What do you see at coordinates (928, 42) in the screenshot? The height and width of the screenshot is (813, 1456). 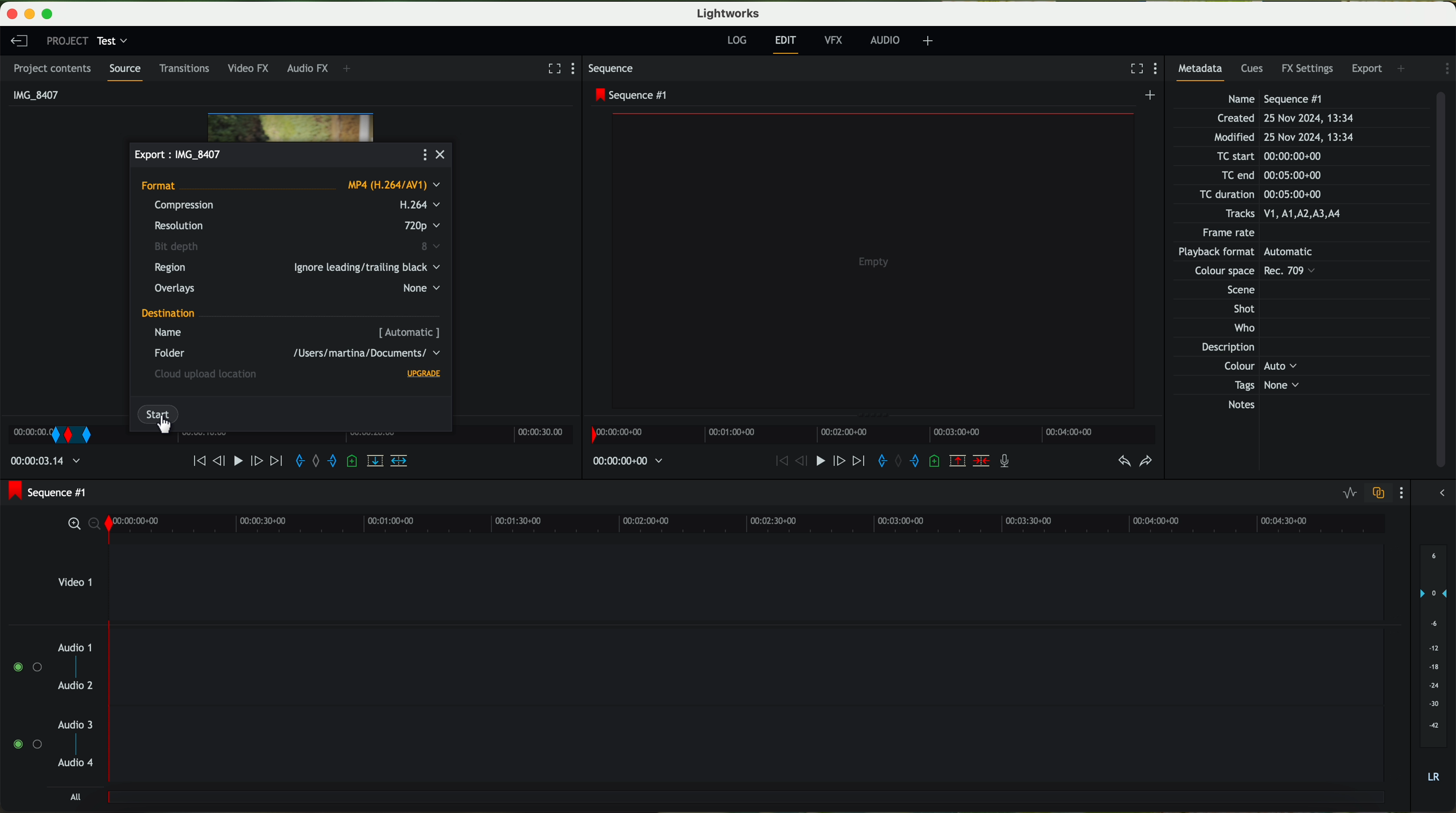 I see `+` at bounding box center [928, 42].